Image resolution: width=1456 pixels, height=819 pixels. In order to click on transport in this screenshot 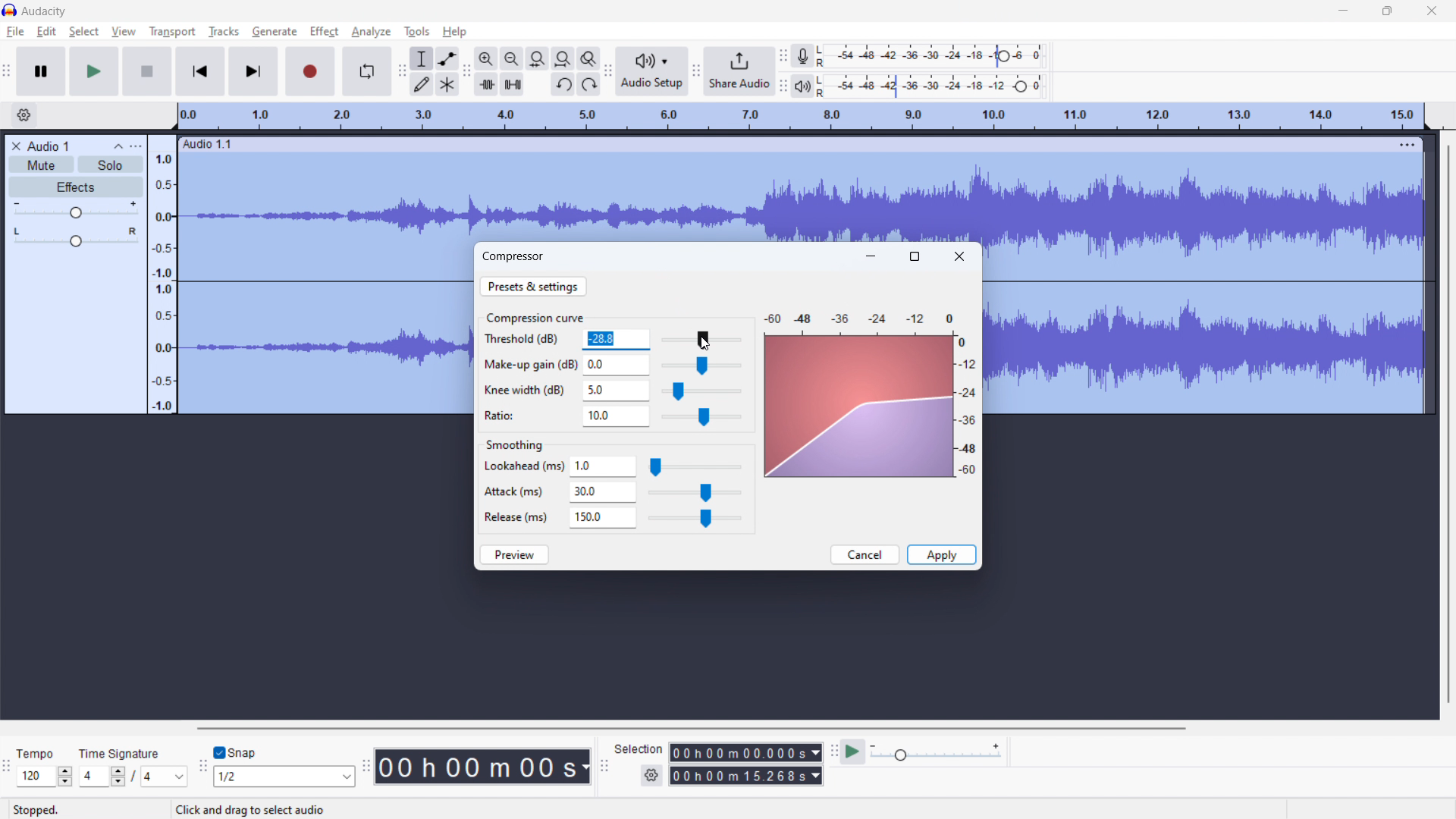, I will do `click(172, 32)`.